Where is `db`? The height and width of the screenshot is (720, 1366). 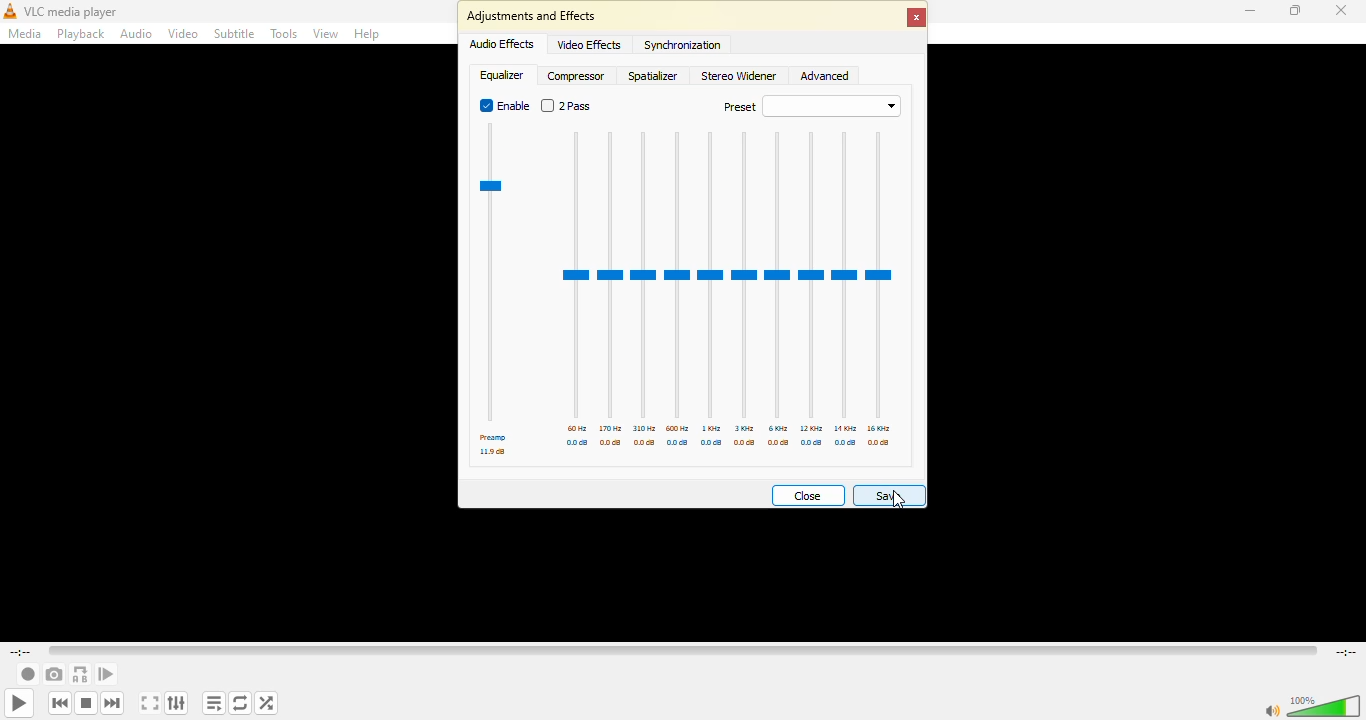 db is located at coordinates (846, 443).